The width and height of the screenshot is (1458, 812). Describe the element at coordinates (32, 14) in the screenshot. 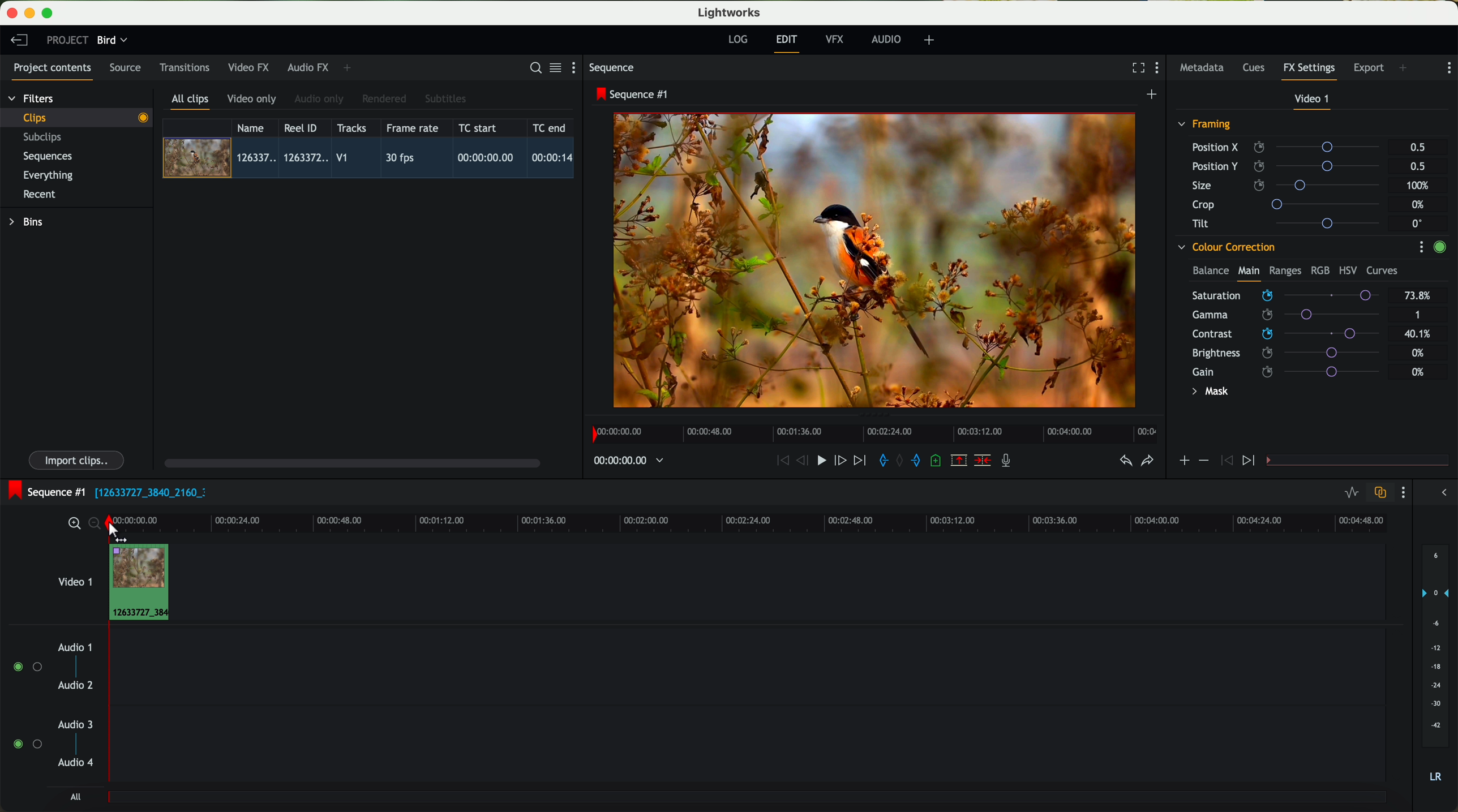

I see `minimize program` at that location.